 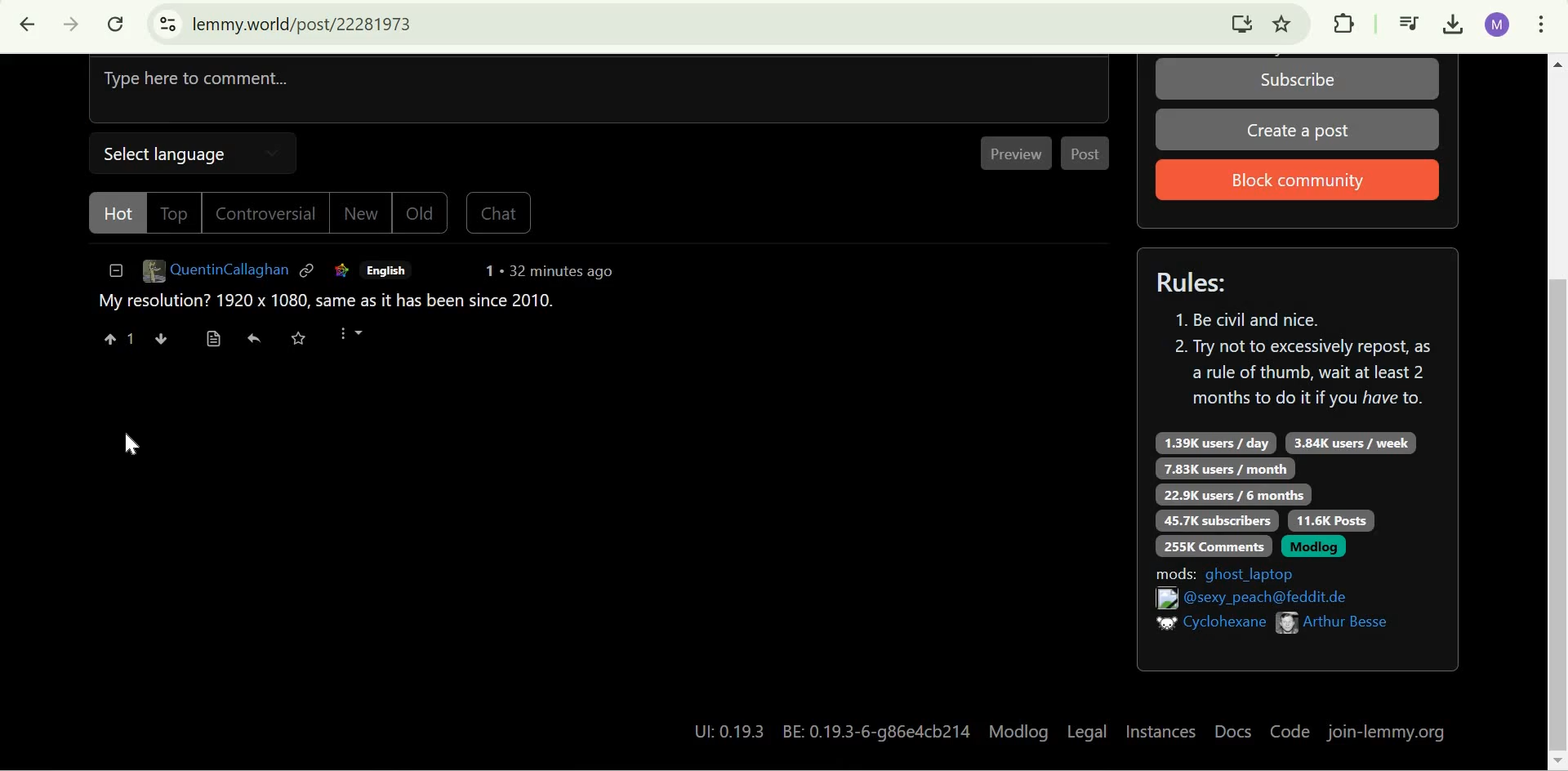 What do you see at coordinates (1347, 622) in the screenshot?
I see `Arthur Besse` at bounding box center [1347, 622].